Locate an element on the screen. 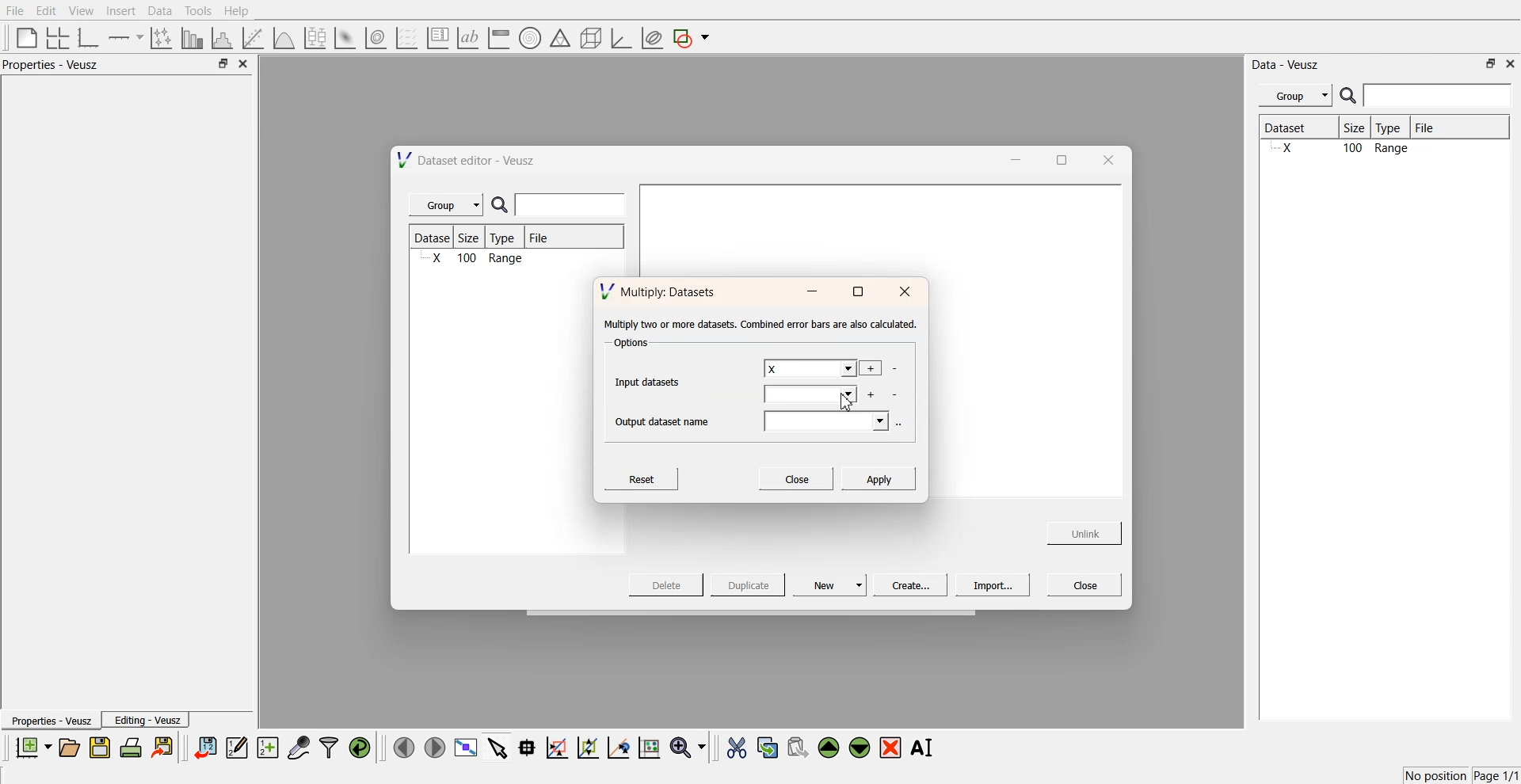 The height and width of the screenshot is (784, 1521). Type is located at coordinates (1393, 128).